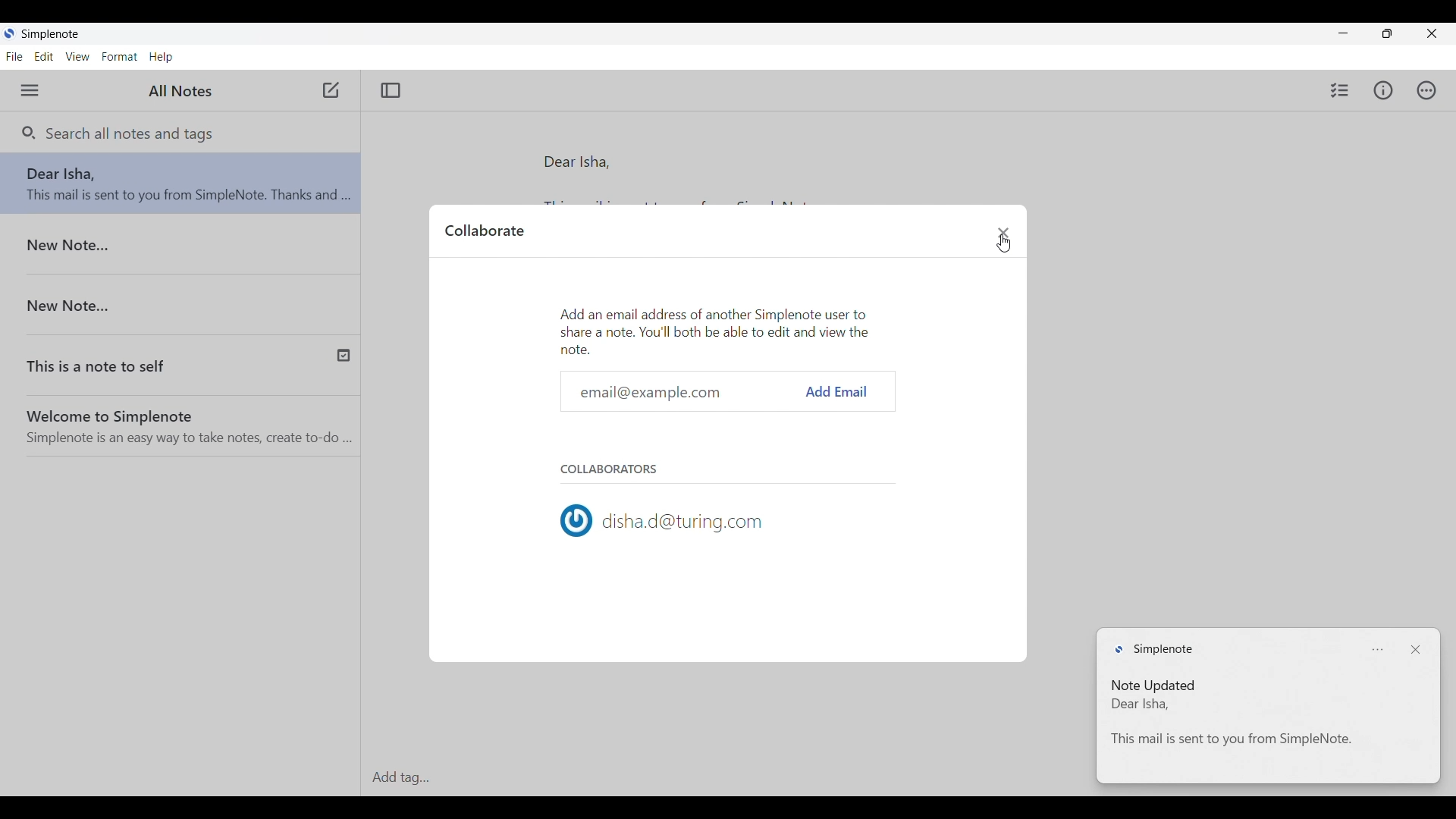 The image size is (1456, 819). What do you see at coordinates (162, 57) in the screenshot?
I see `Help` at bounding box center [162, 57].